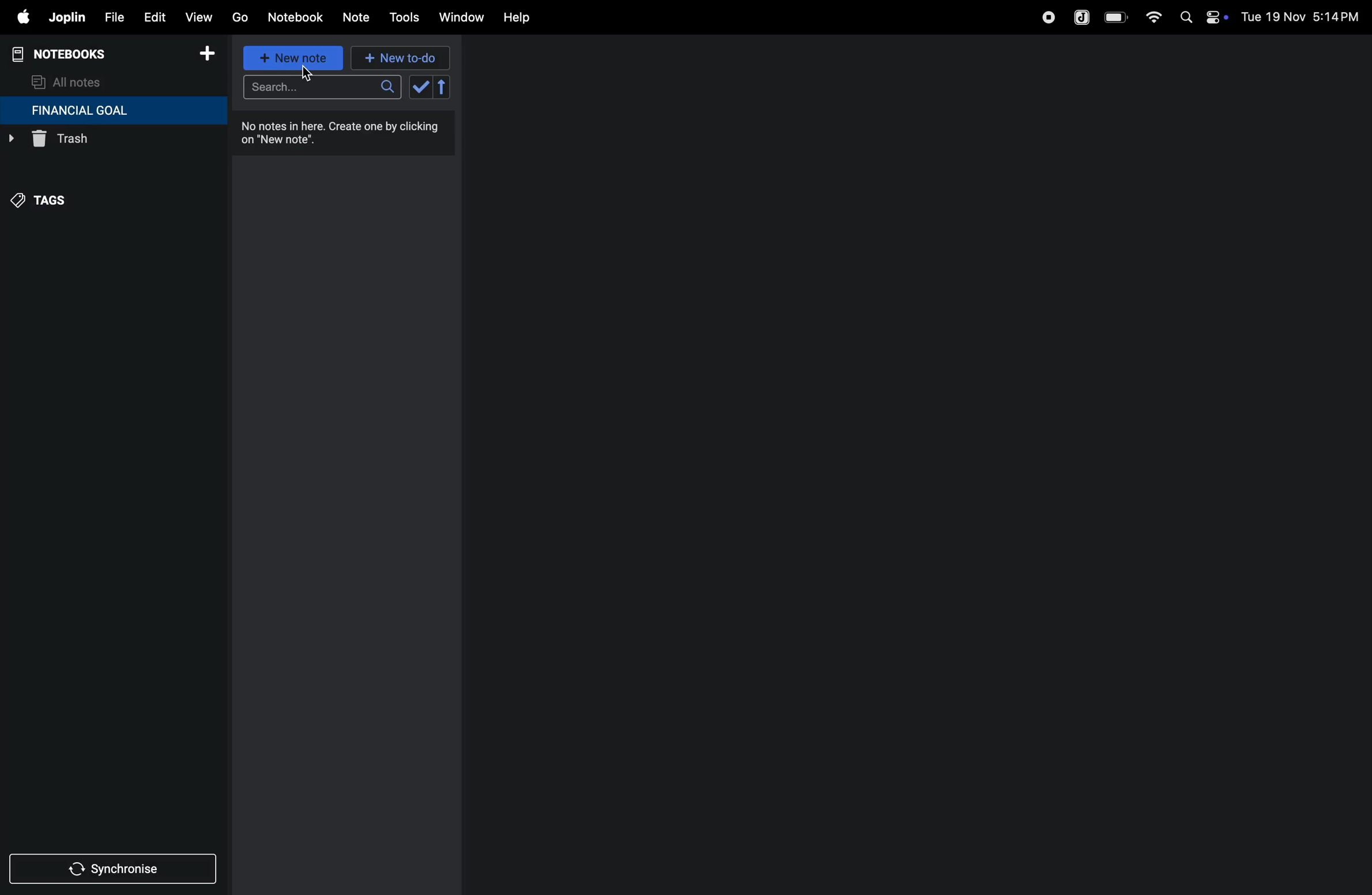 The image size is (1372, 895). Describe the element at coordinates (443, 87) in the screenshot. I see `reverse sort order` at that location.